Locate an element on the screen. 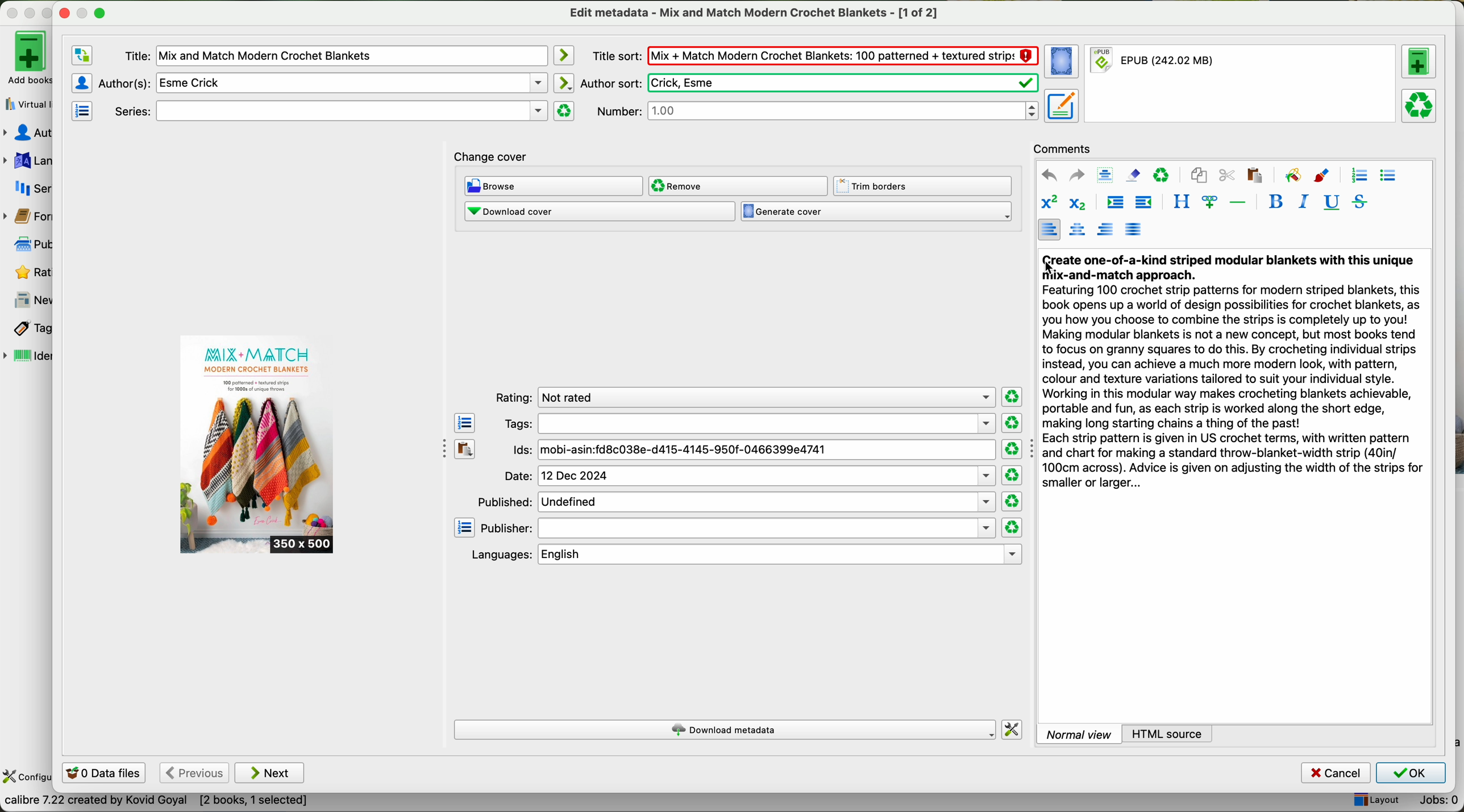 The width and height of the screenshot is (1464, 812). clear rating is located at coordinates (1012, 449).